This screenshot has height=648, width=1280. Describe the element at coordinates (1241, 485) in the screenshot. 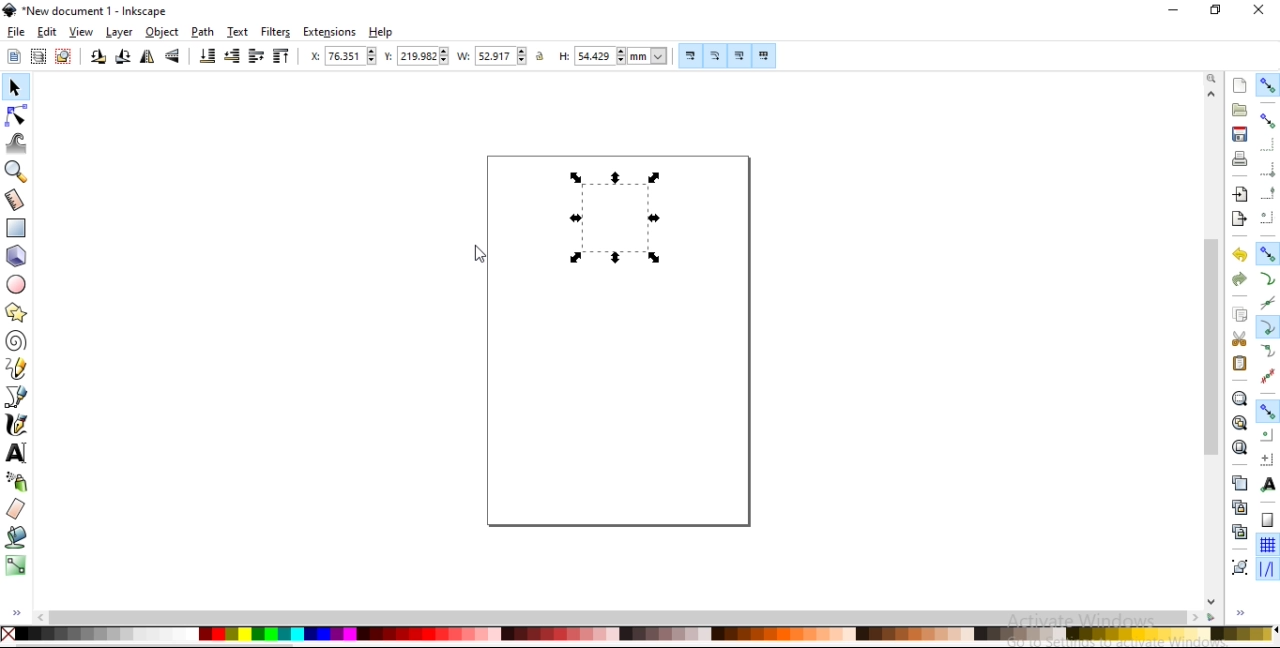

I see `duplicate selected objects` at that location.